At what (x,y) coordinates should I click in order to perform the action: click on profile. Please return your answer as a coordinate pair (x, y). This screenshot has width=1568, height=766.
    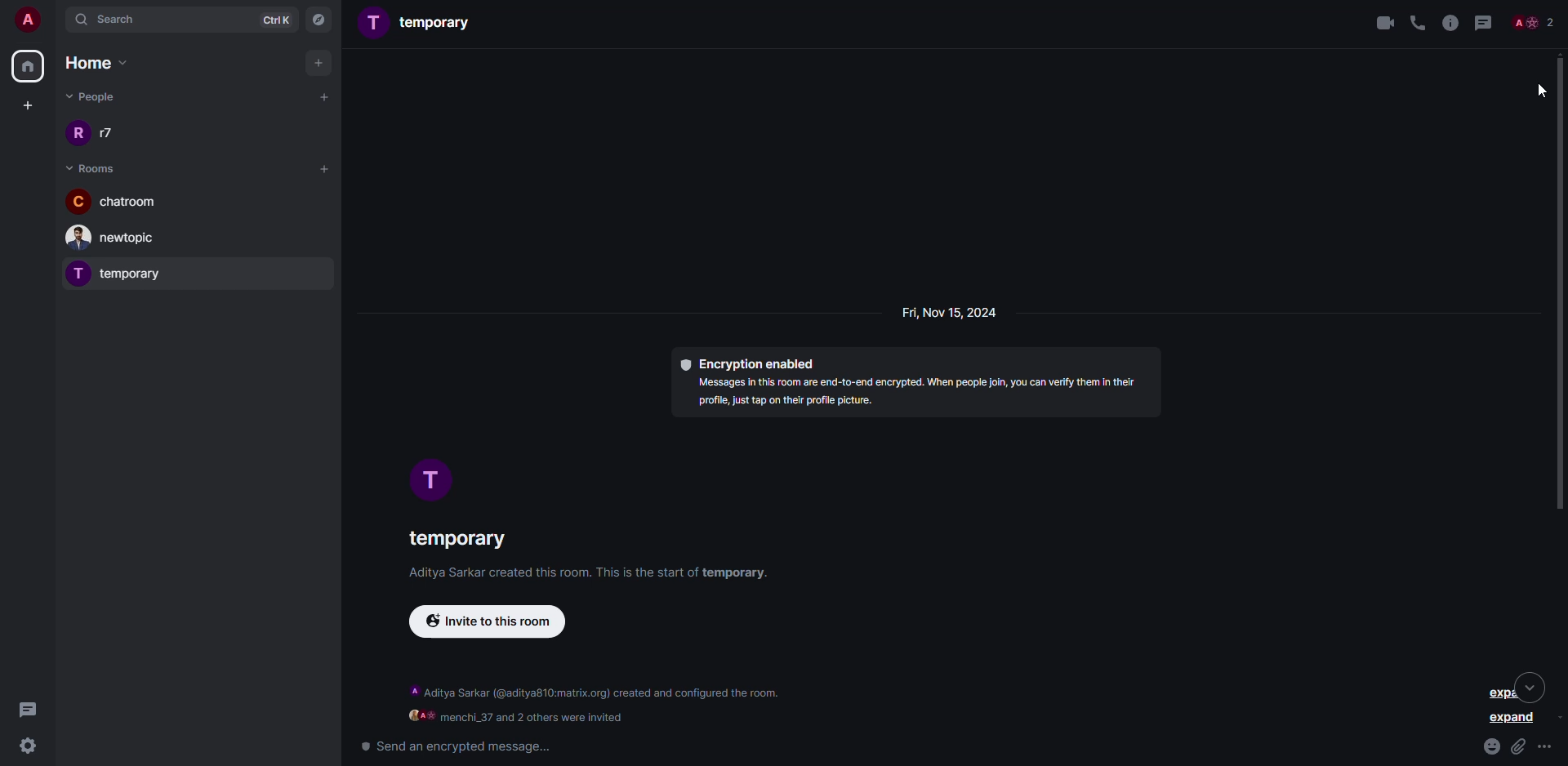
    Looking at the image, I should click on (434, 482).